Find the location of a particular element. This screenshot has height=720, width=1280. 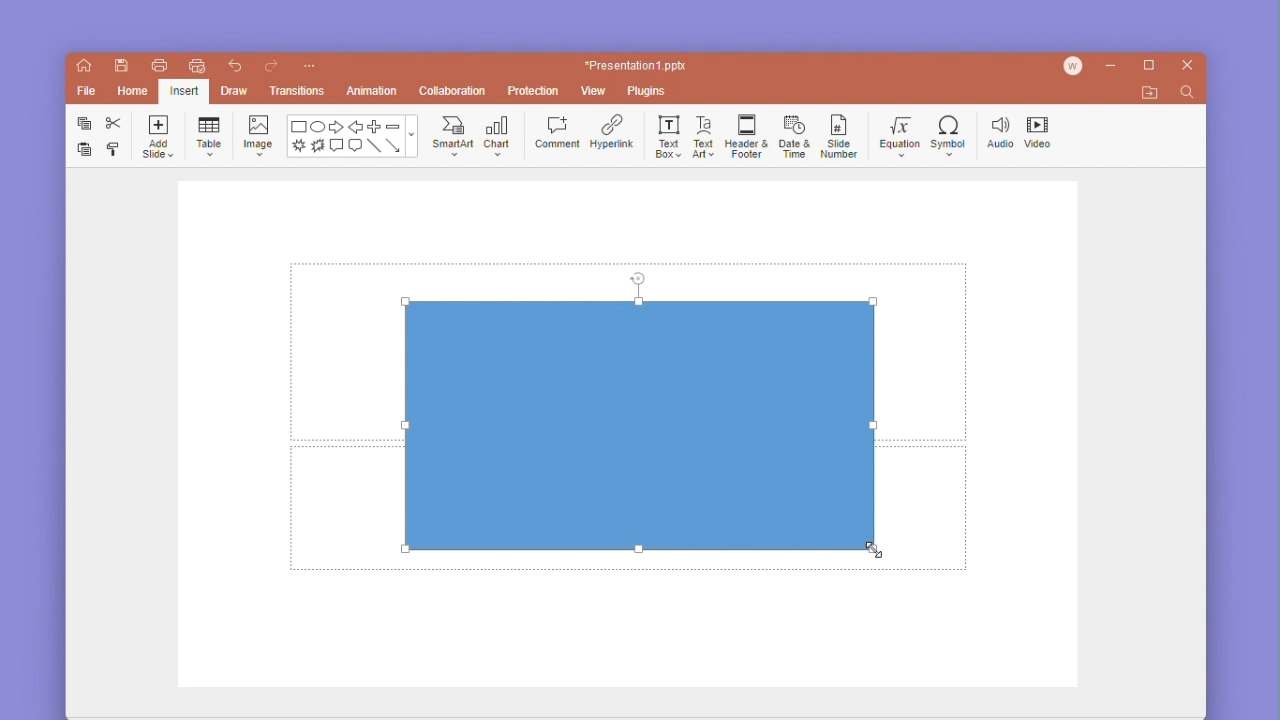

maximize is located at coordinates (1146, 66).